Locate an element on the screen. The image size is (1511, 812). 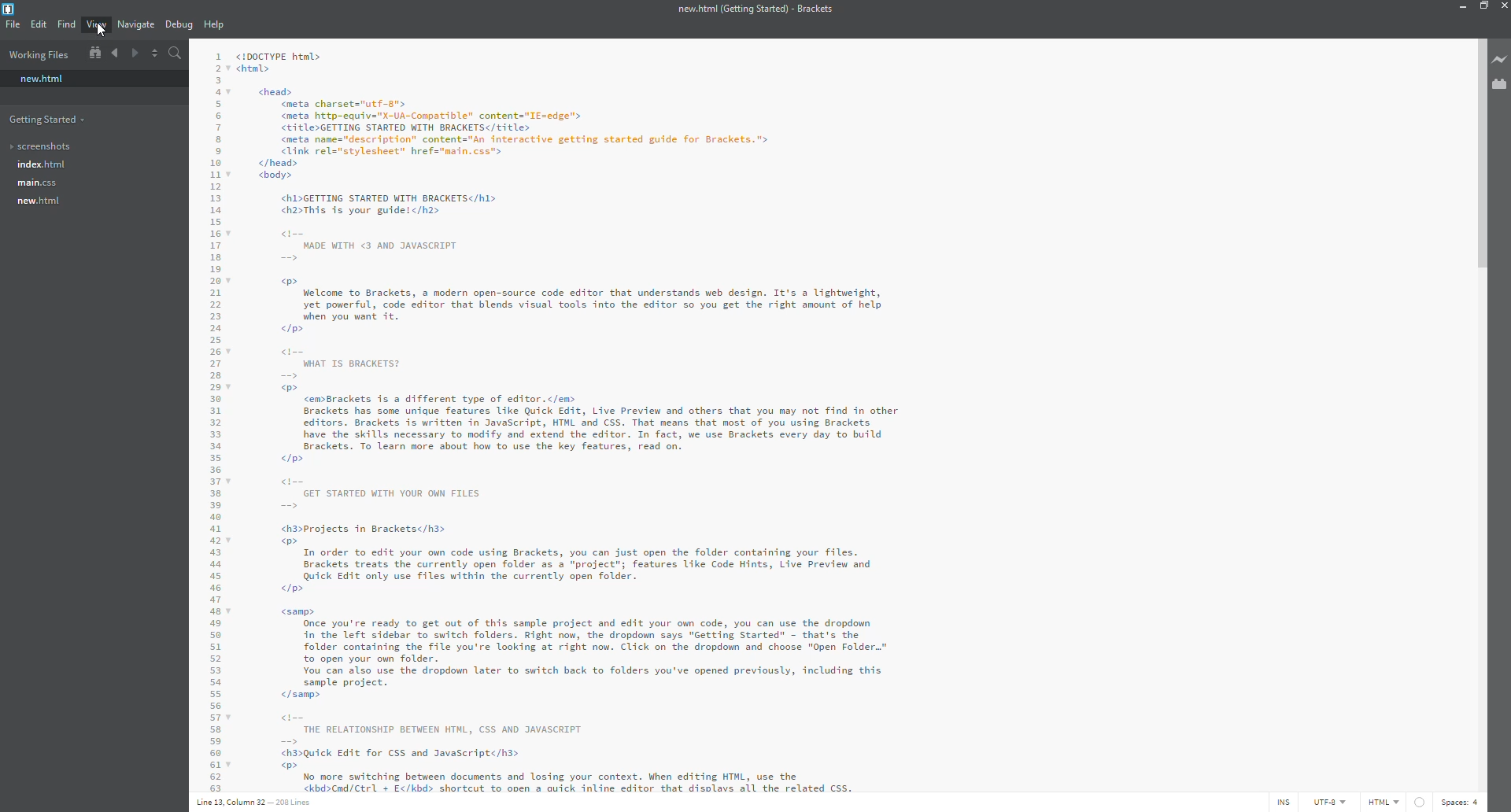
show in file tree is located at coordinates (94, 53).